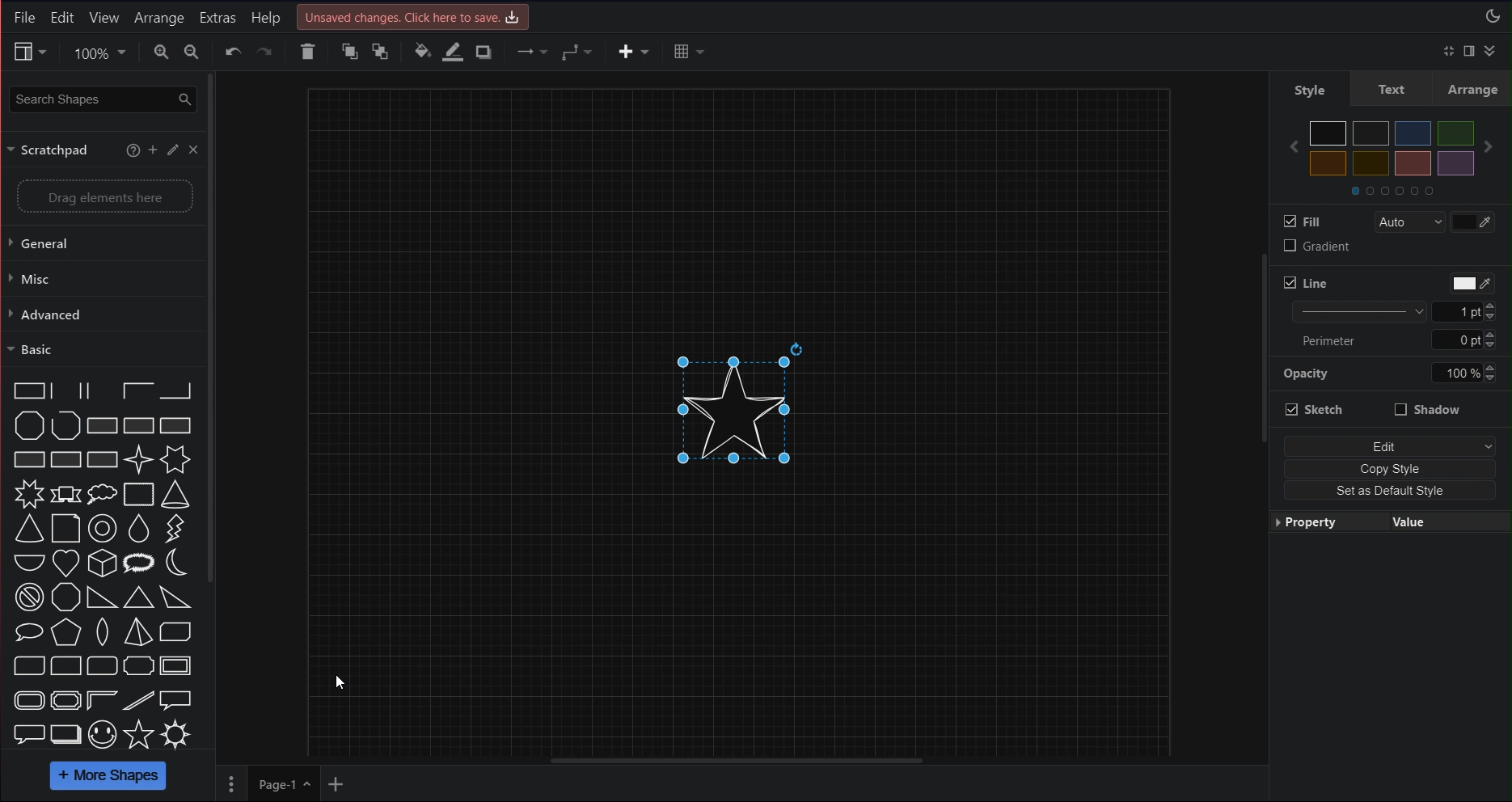  I want to click on partial rectangle, so click(178, 390).